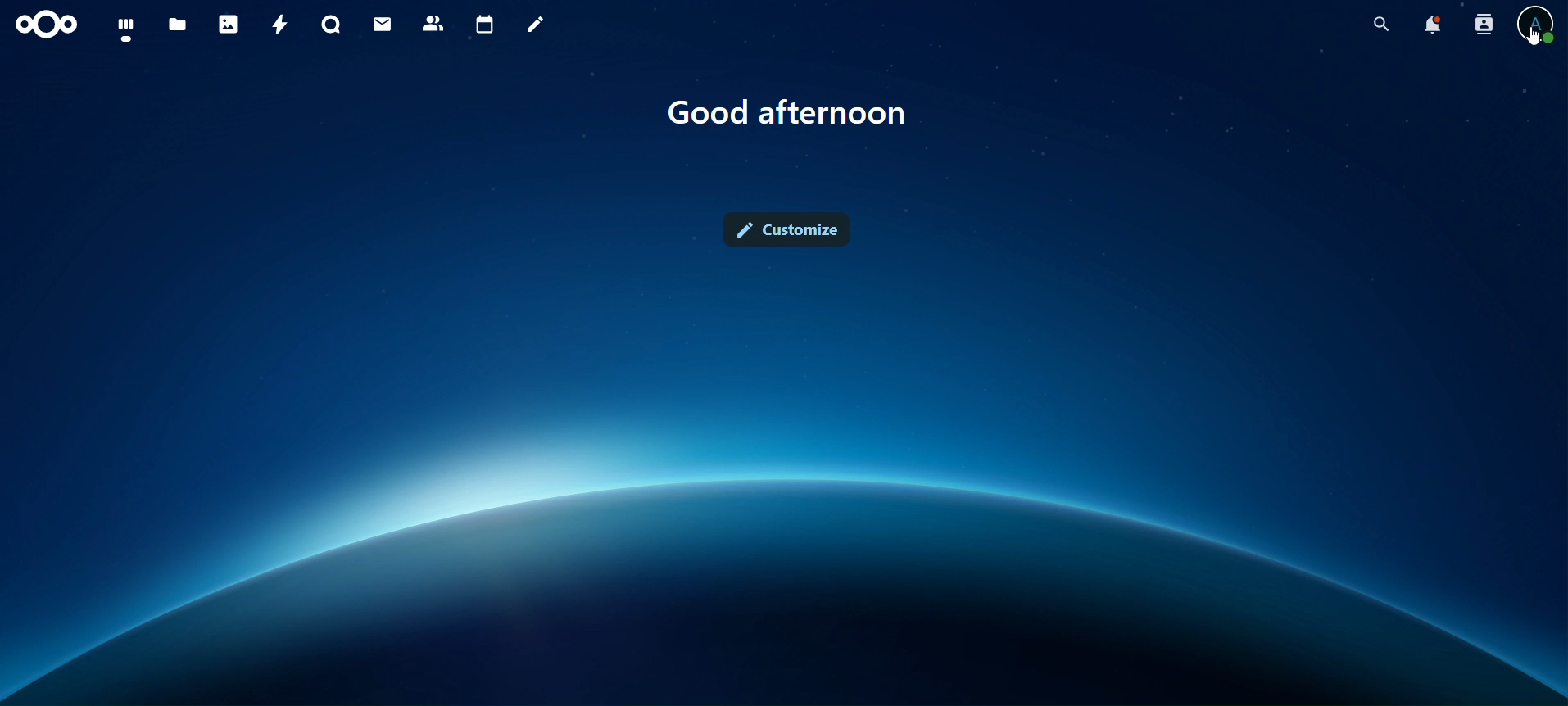  I want to click on photos, so click(228, 24).